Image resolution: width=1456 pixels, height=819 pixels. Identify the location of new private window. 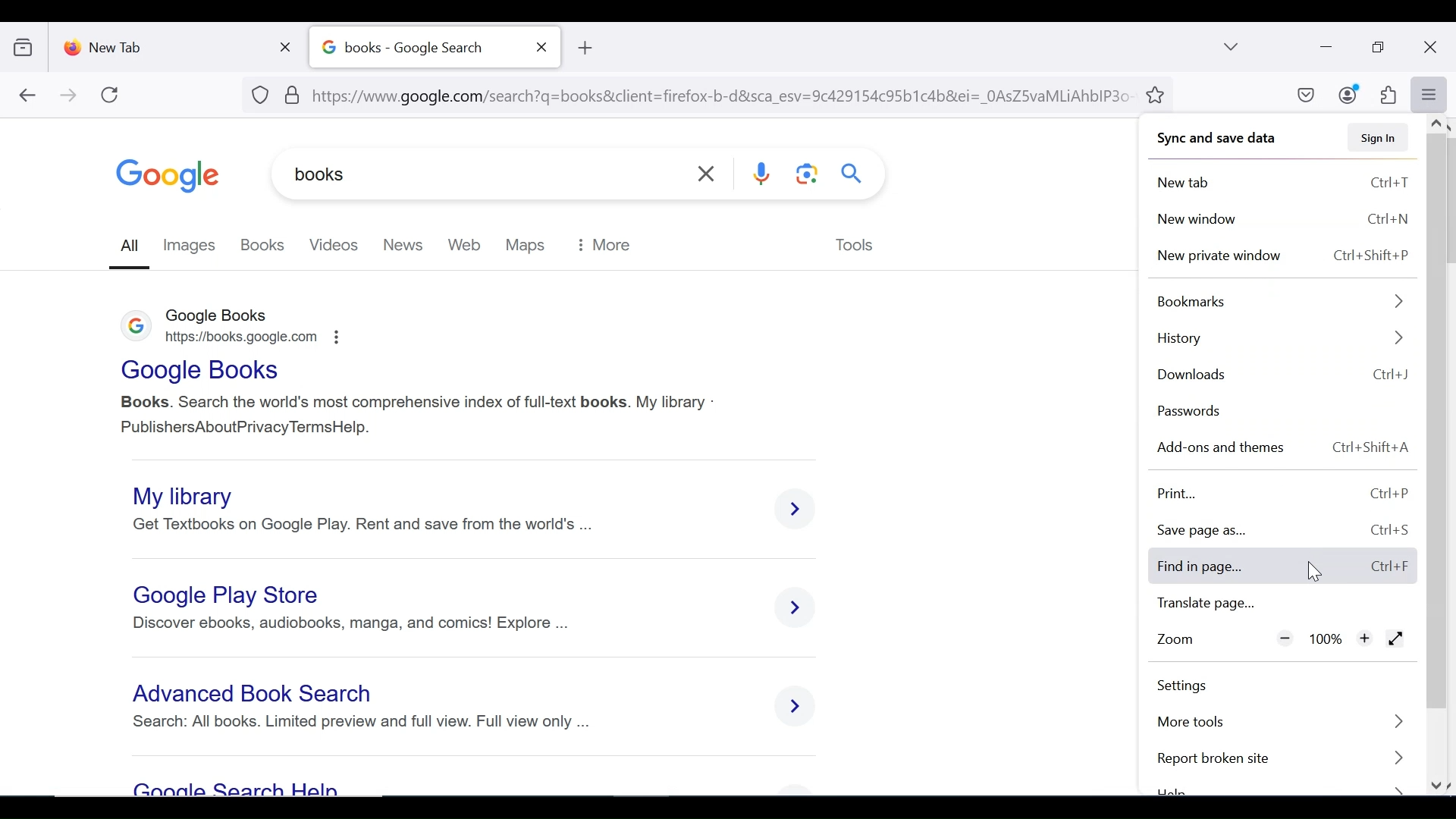
(1285, 253).